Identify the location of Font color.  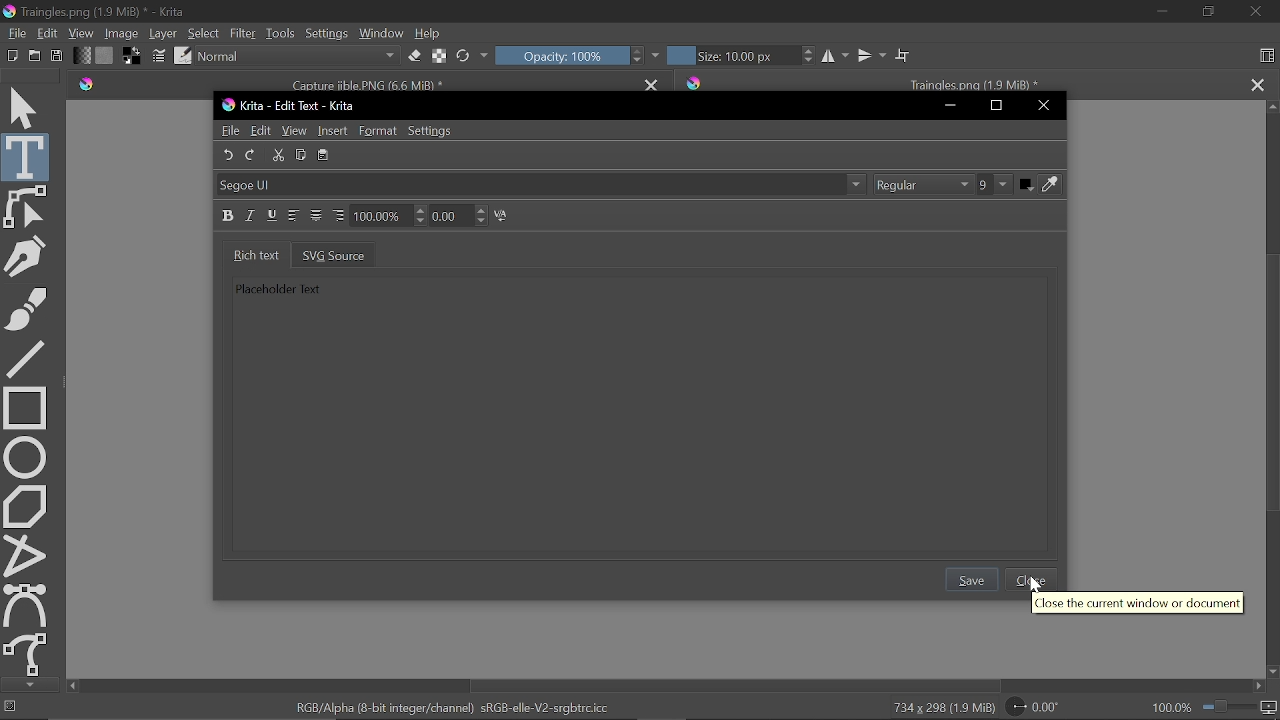
(1042, 185).